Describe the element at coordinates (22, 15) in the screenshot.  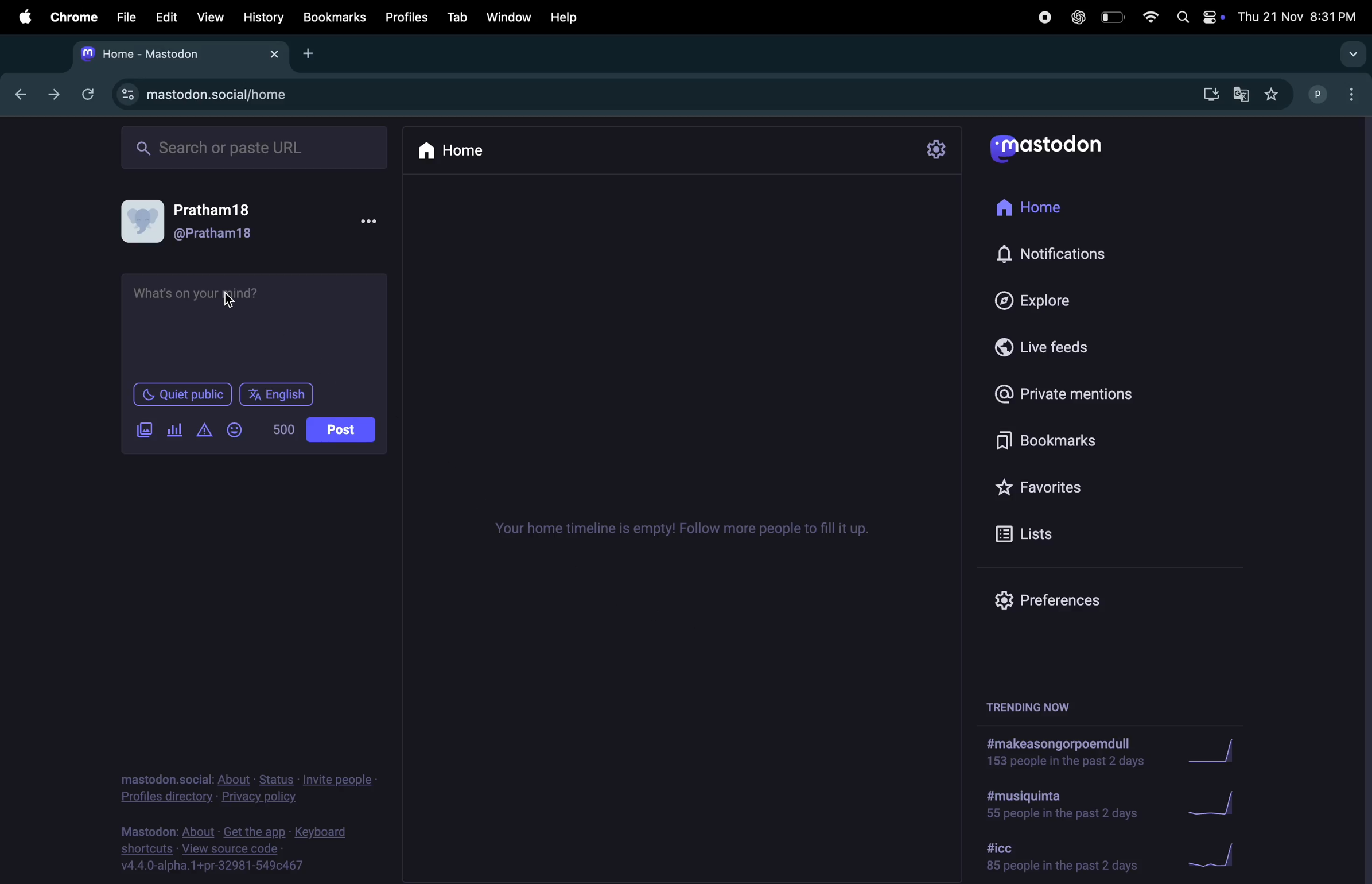
I see `apple menu` at that location.